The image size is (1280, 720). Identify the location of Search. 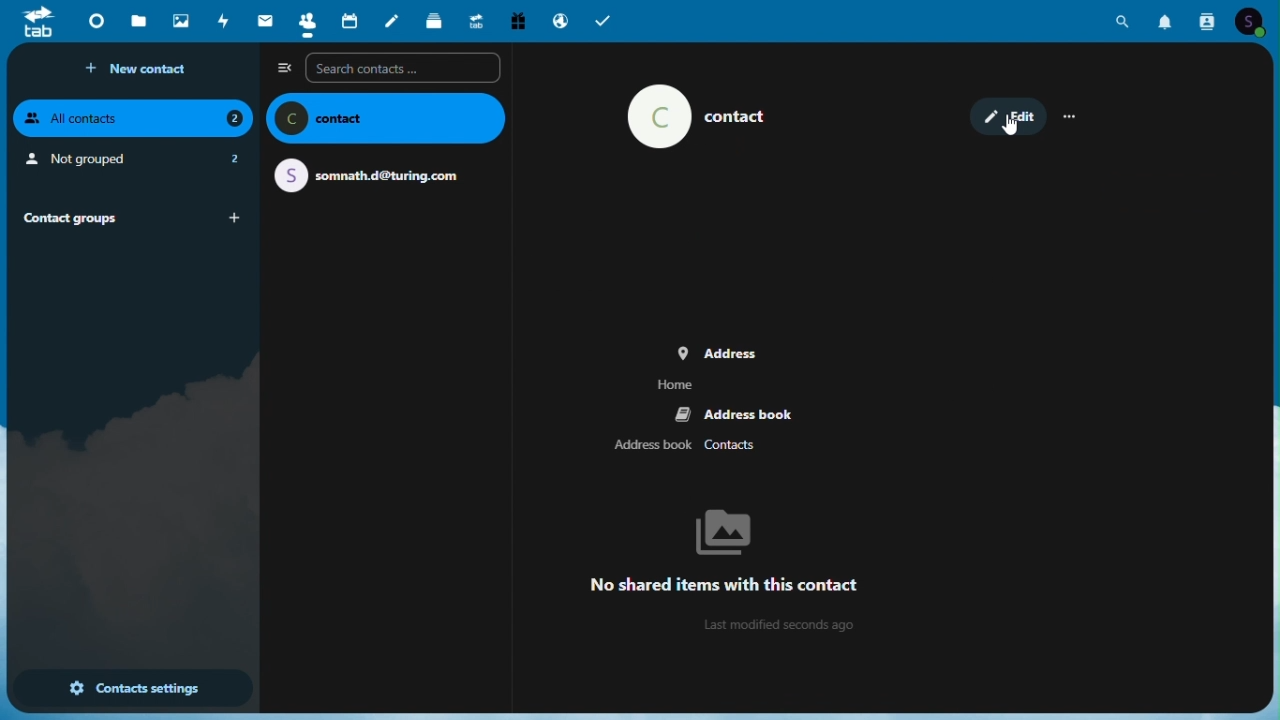
(1126, 21).